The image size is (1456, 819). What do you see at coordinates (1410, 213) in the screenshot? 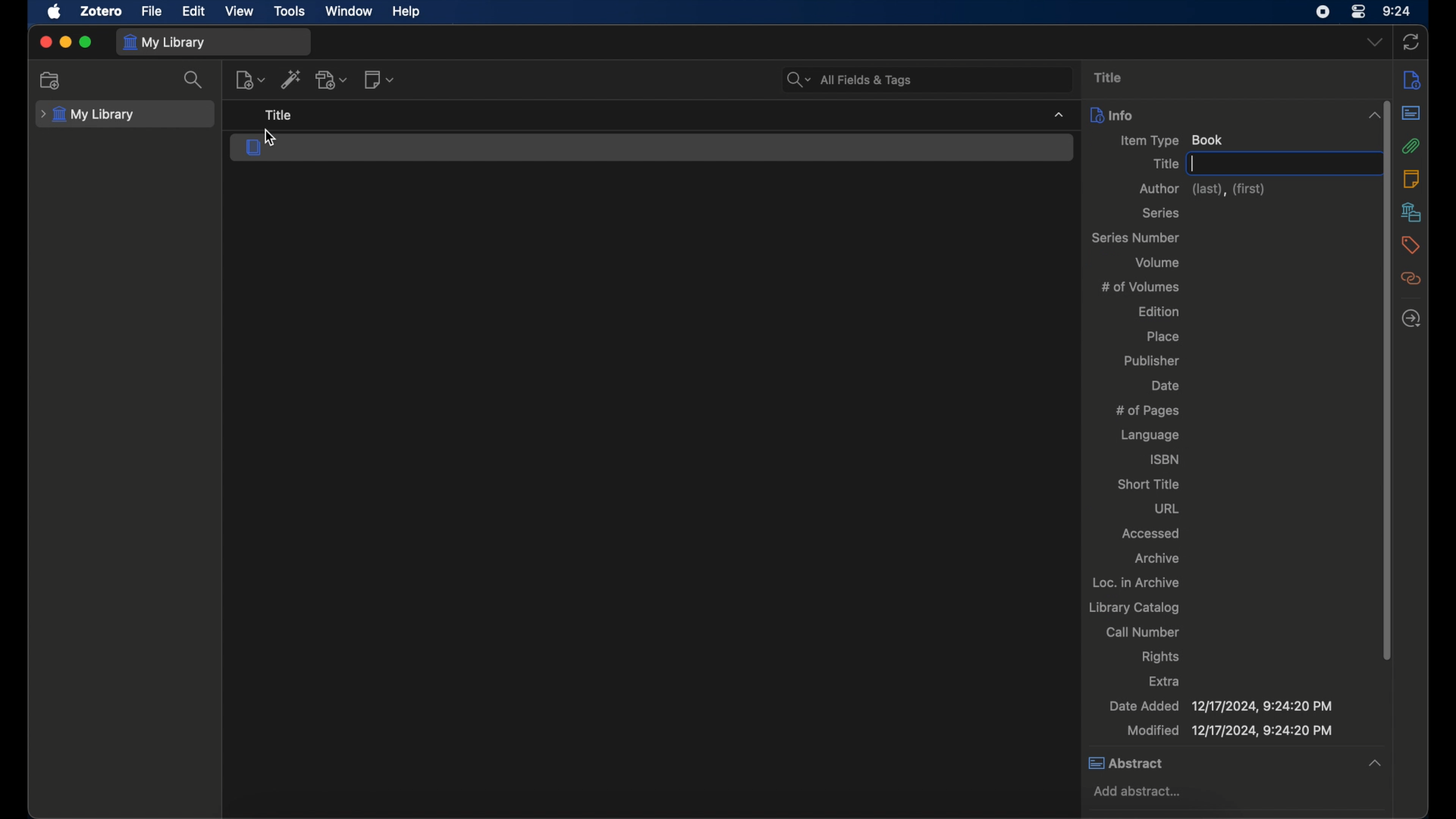
I see `libraries` at bounding box center [1410, 213].